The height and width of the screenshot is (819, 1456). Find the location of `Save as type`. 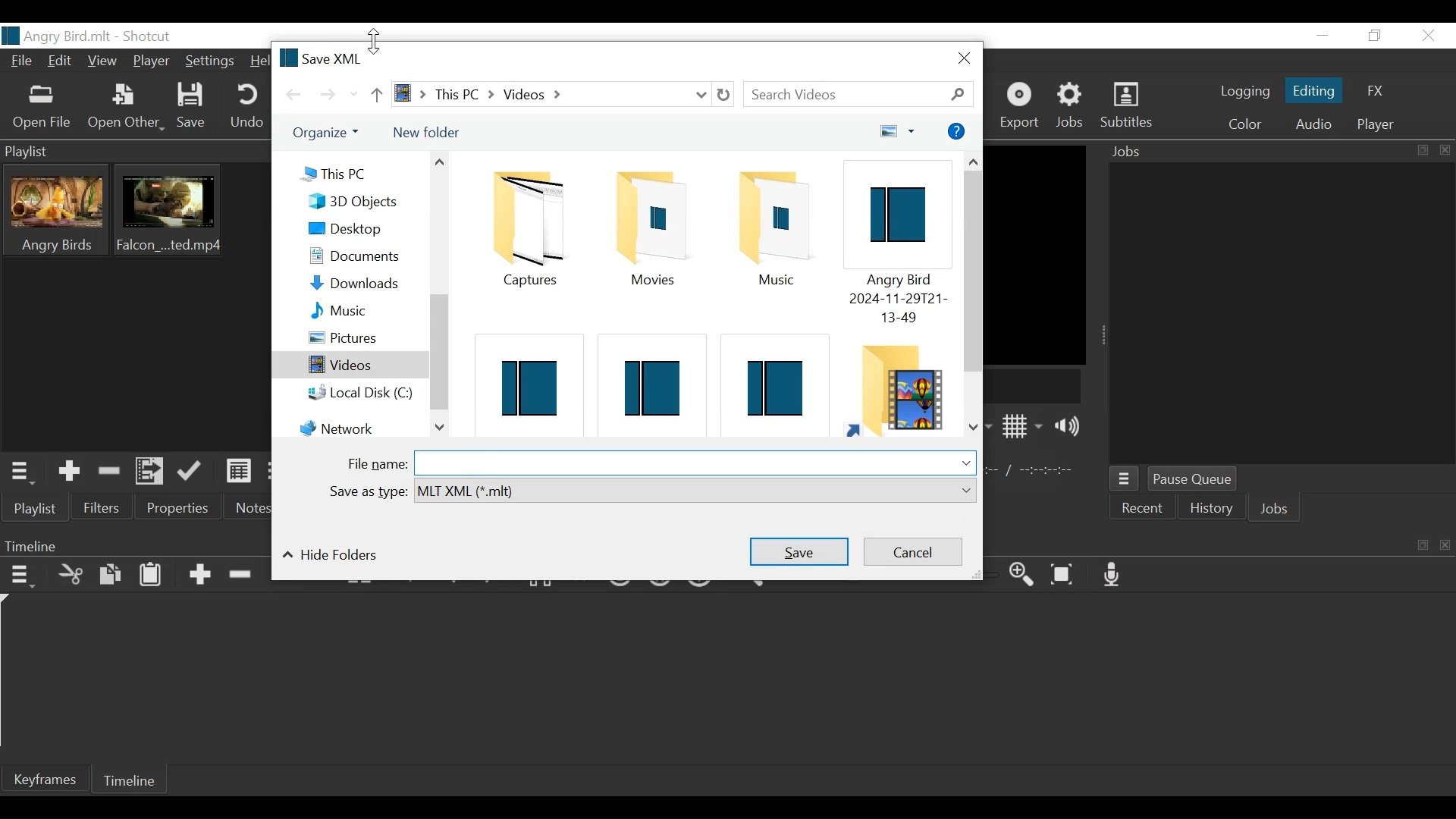

Save as type is located at coordinates (365, 491).